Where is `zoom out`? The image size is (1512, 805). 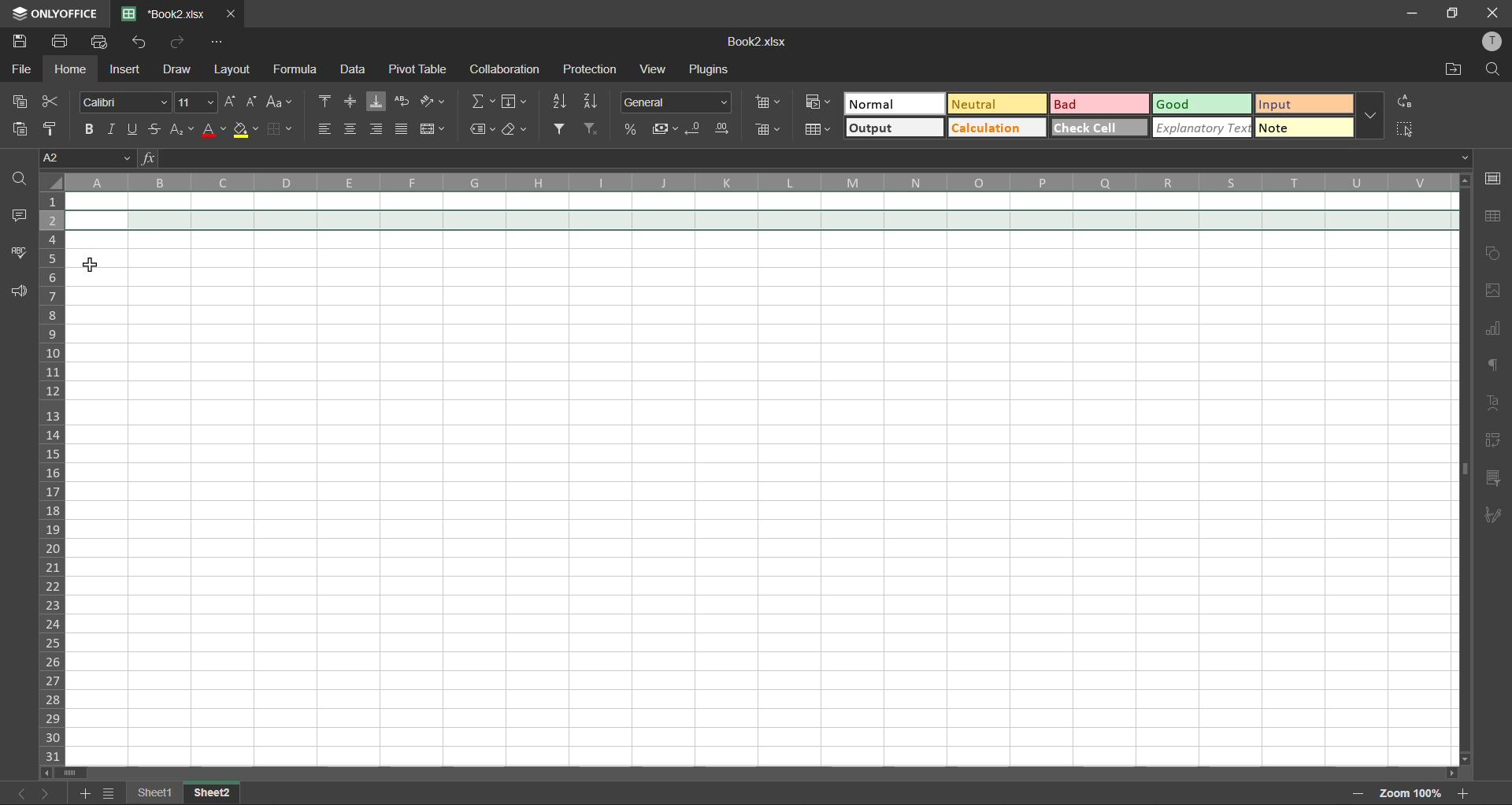 zoom out is located at coordinates (1354, 795).